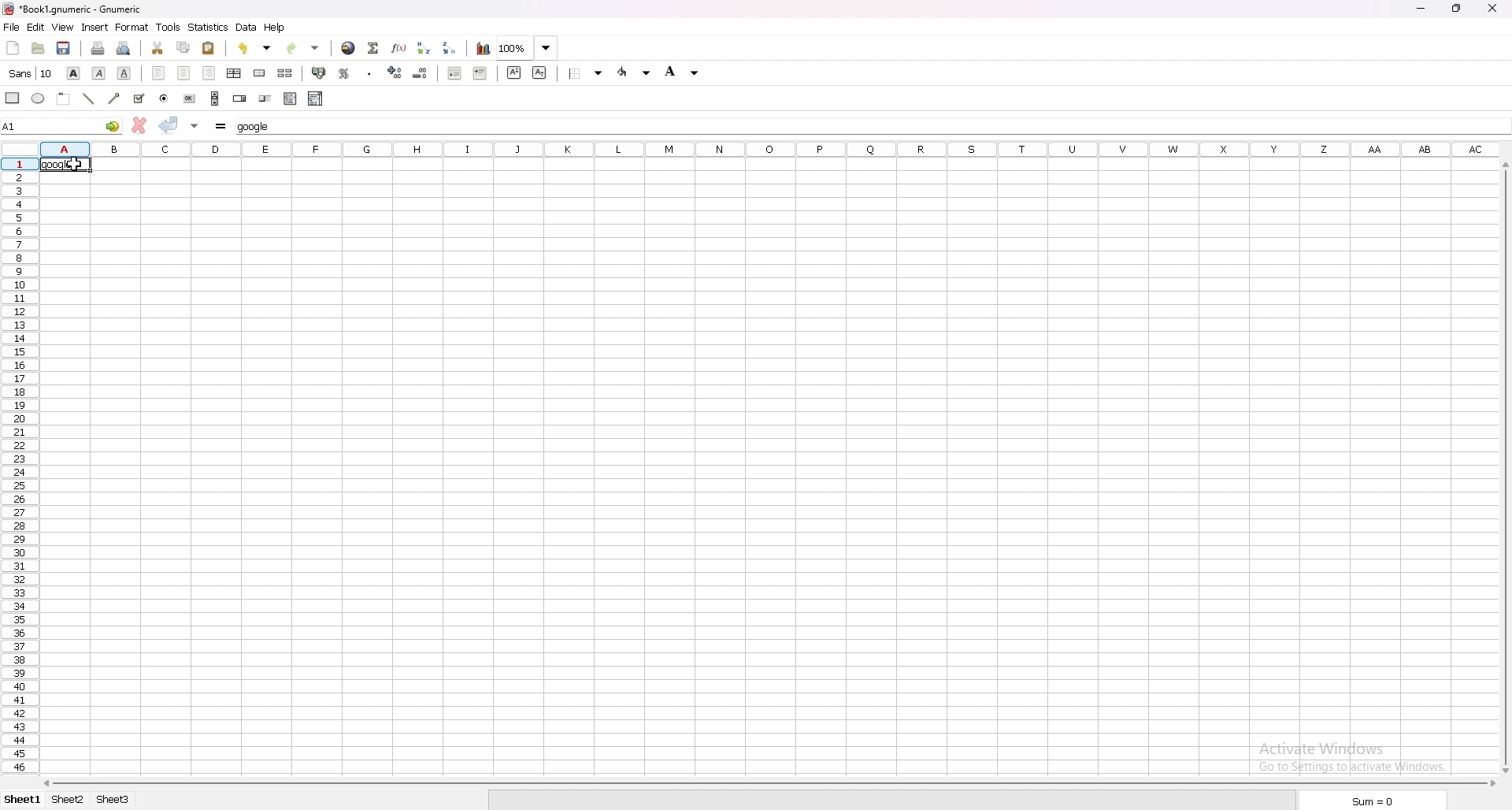 This screenshot has width=1512, height=810. What do you see at coordinates (20, 798) in the screenshot?
I see `Sheet 1` at bounding box center [20, 798].